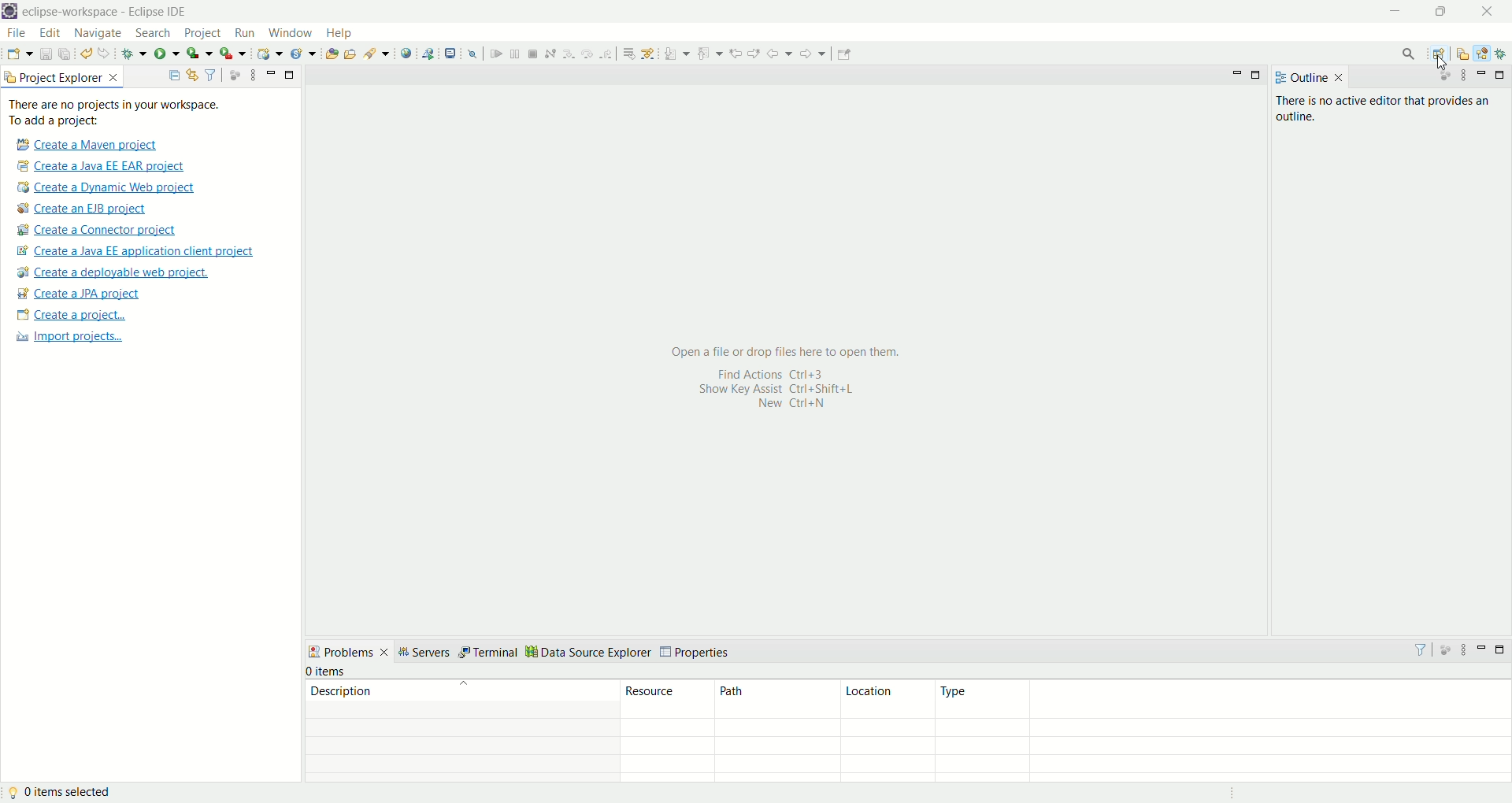 The image size is (1512, 803). Describe the element at coordinates (710, 54) in the screenshot. I see `previous annotation` at that location.